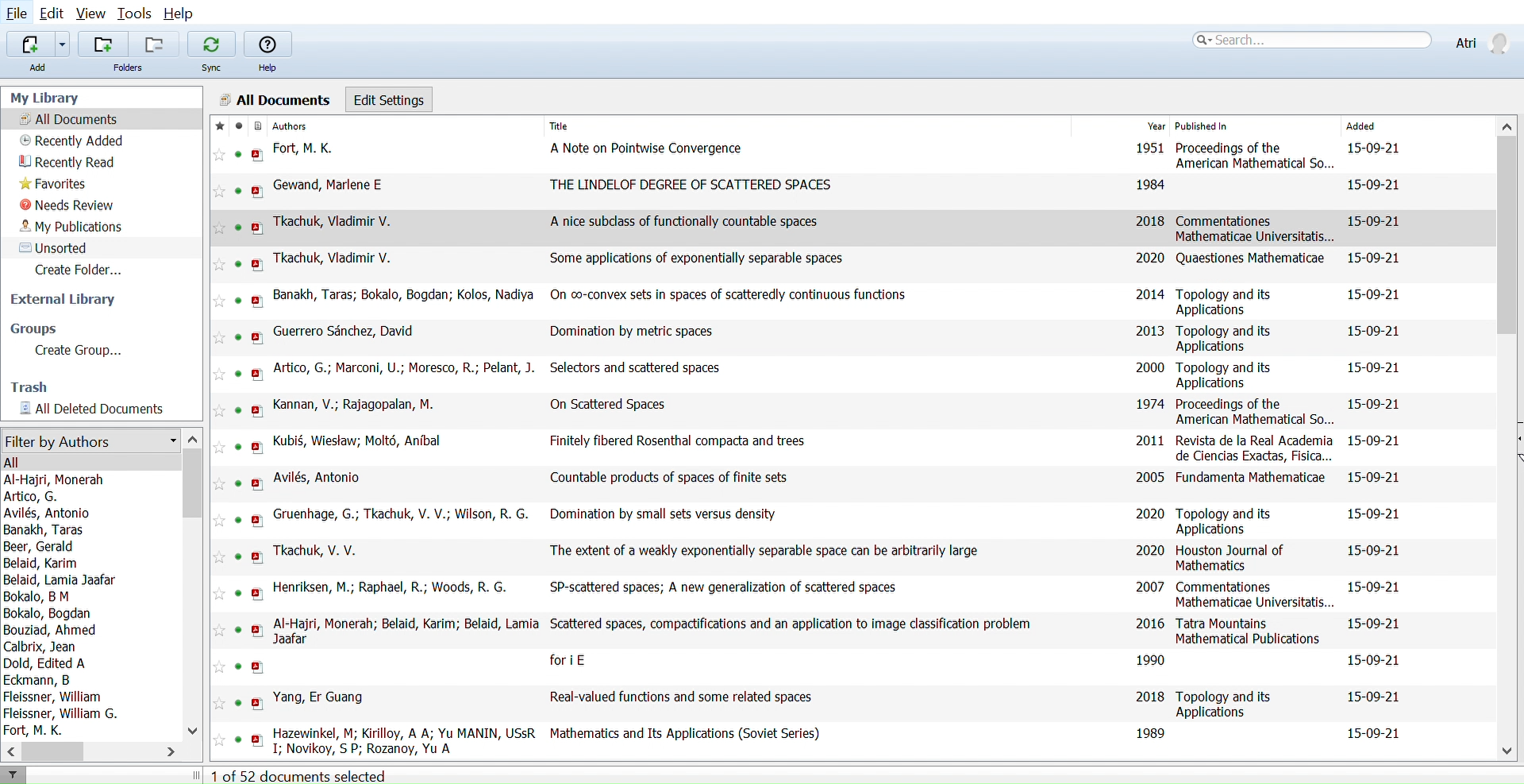 The image size is (1524, 784). What do you see at coordinates (36, 67) in the screenshot?
I see `Add` at bounding box center [36, 67].